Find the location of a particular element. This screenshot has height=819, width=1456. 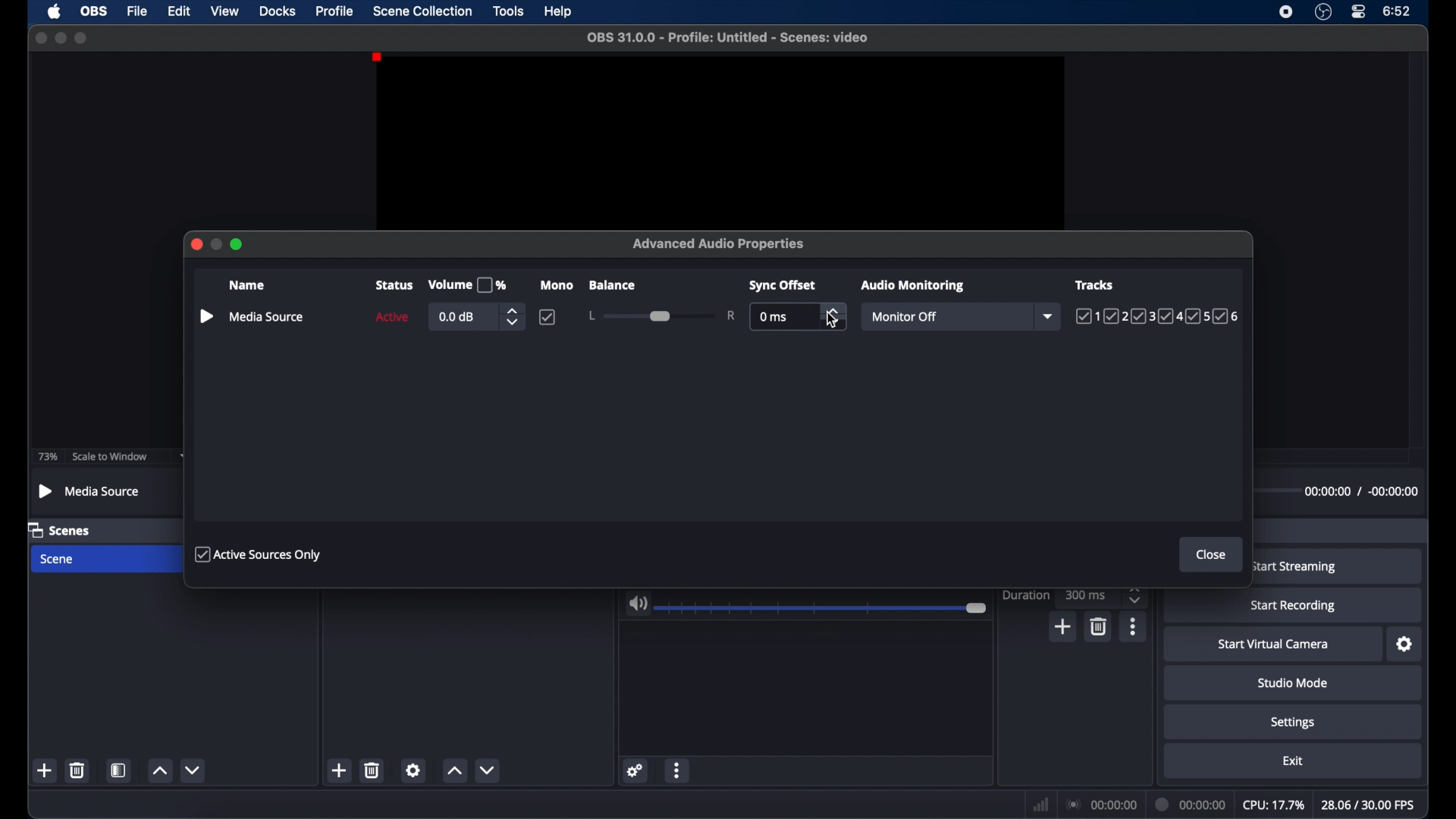

add is located at coordinates (340, 770).